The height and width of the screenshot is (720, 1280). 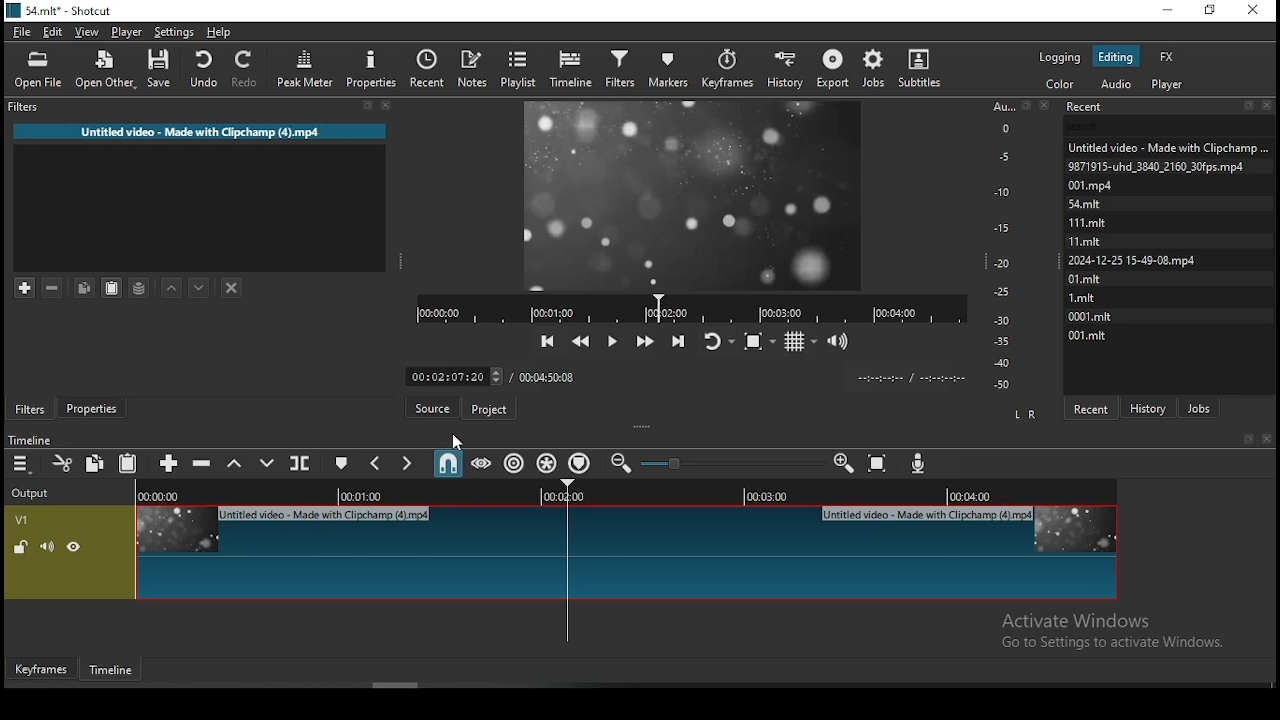 I want to click on player, so click(x=127, y=33).